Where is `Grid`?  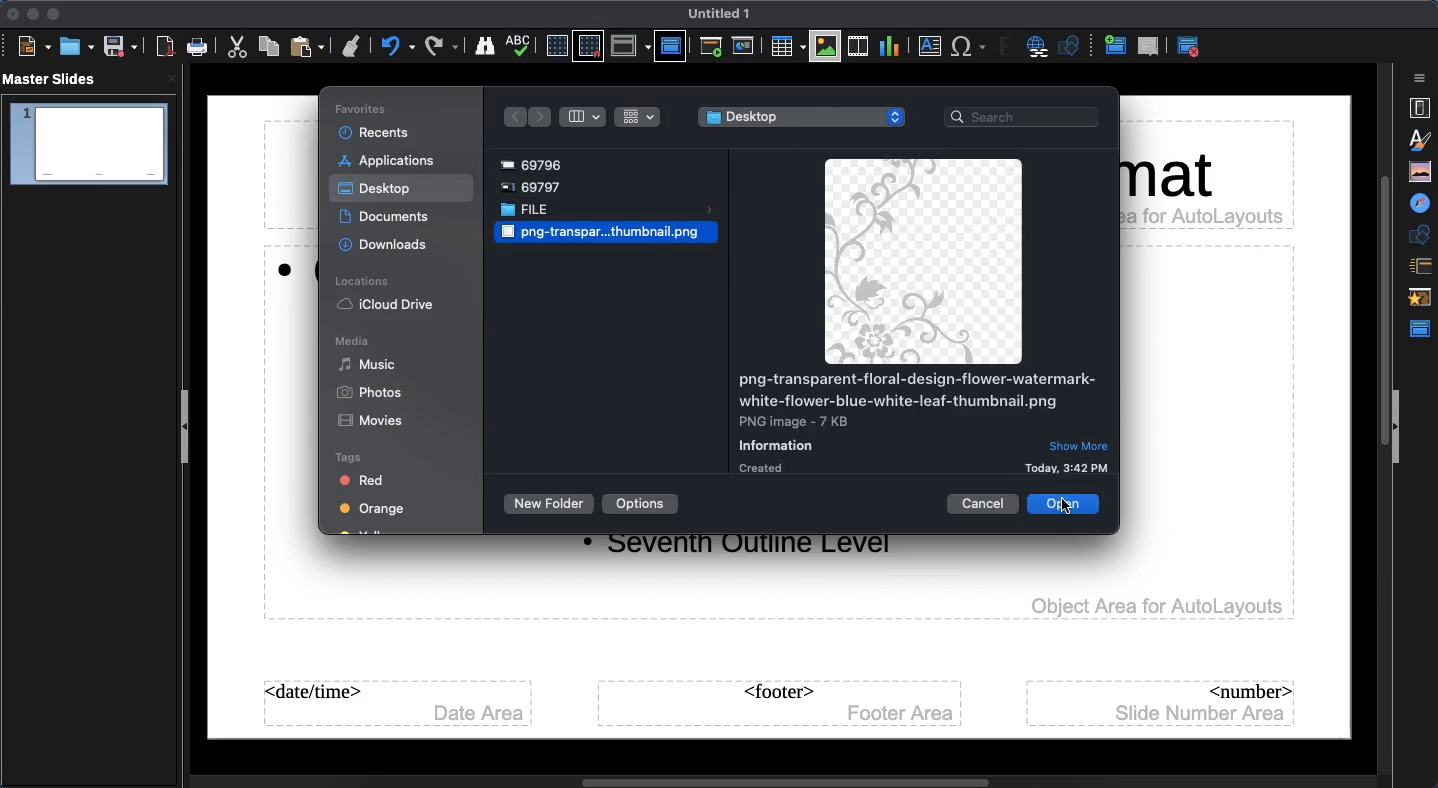 Grid is located at coordinates (638, 116).